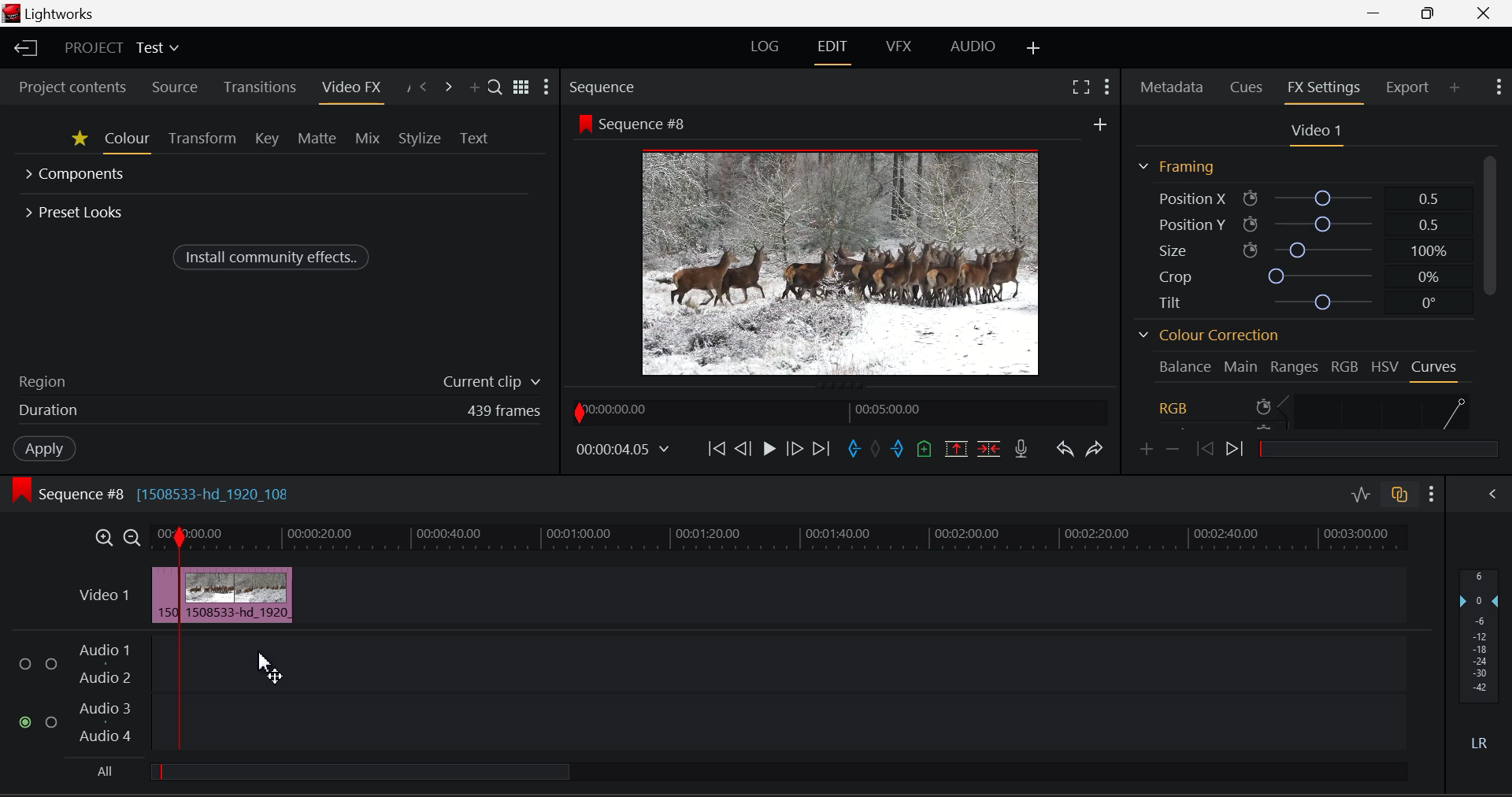  I want to click on Remove keyframe, so click(1173, 450).